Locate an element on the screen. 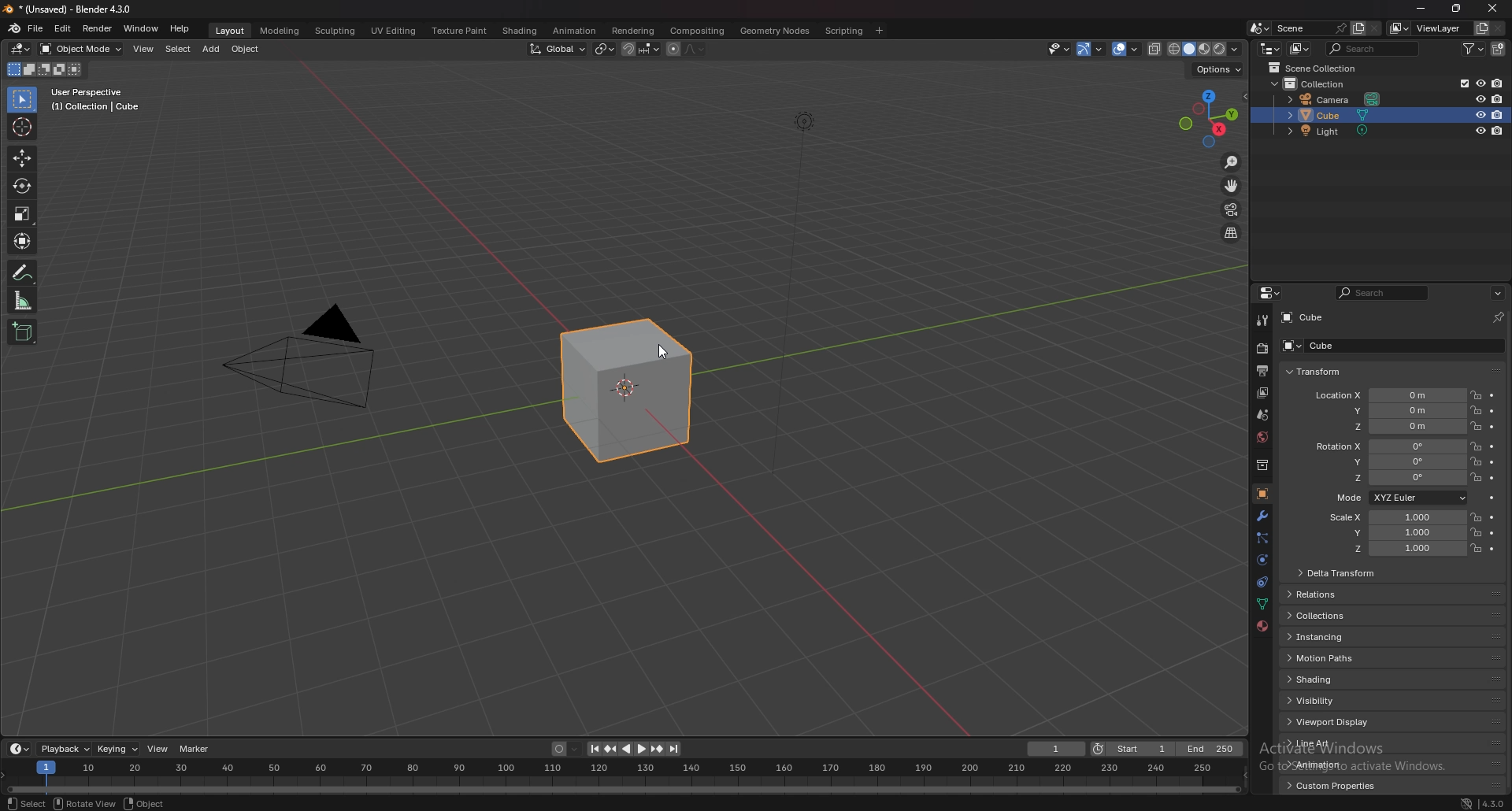 The width and height of the screenshot is (1512, 811). lock is located at coordinates (1476, 394).